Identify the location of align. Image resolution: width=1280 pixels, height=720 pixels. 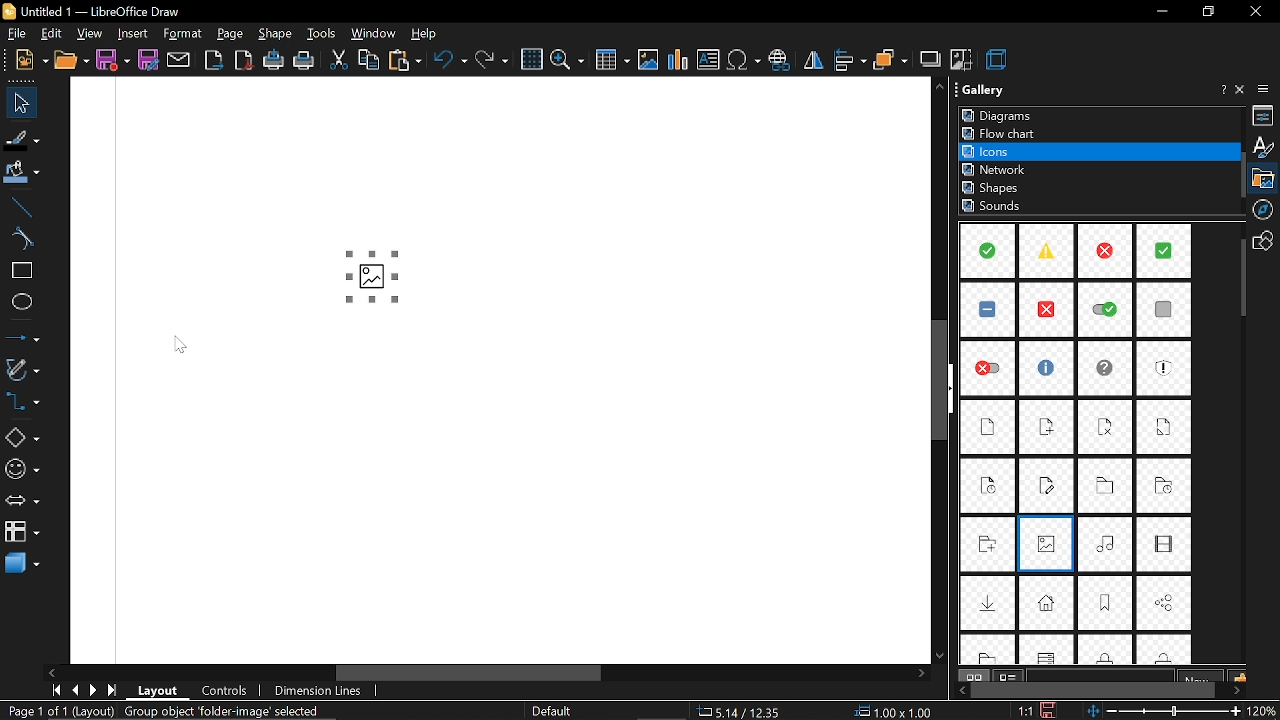
(849, 60).